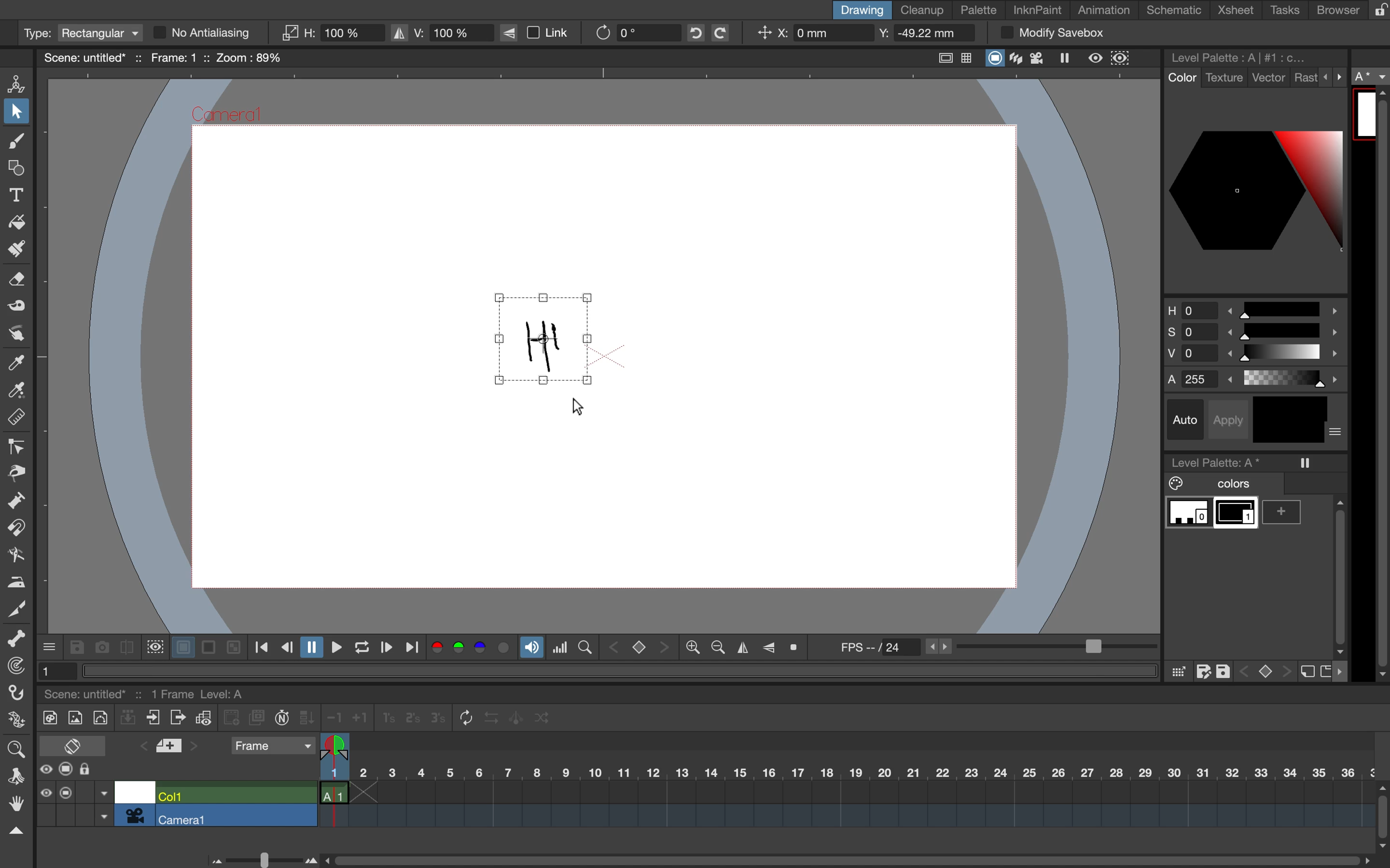 The height and width of the screenshot is (868, 1390). Describe the element at coordinates (76, 648) in the screenshot. I see `save` at that location.